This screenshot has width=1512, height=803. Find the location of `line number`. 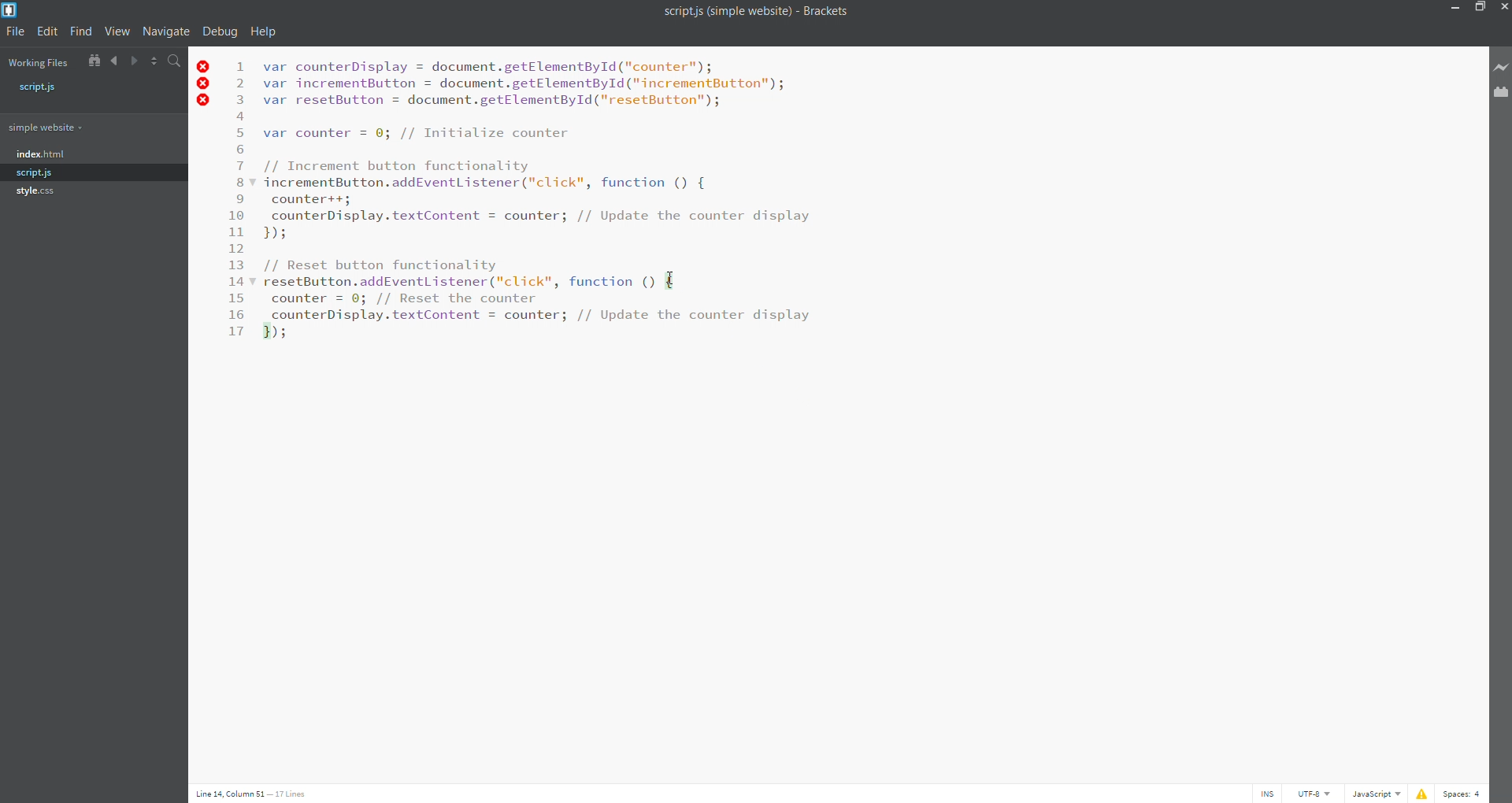

line number is located at coordinates (237, 201).